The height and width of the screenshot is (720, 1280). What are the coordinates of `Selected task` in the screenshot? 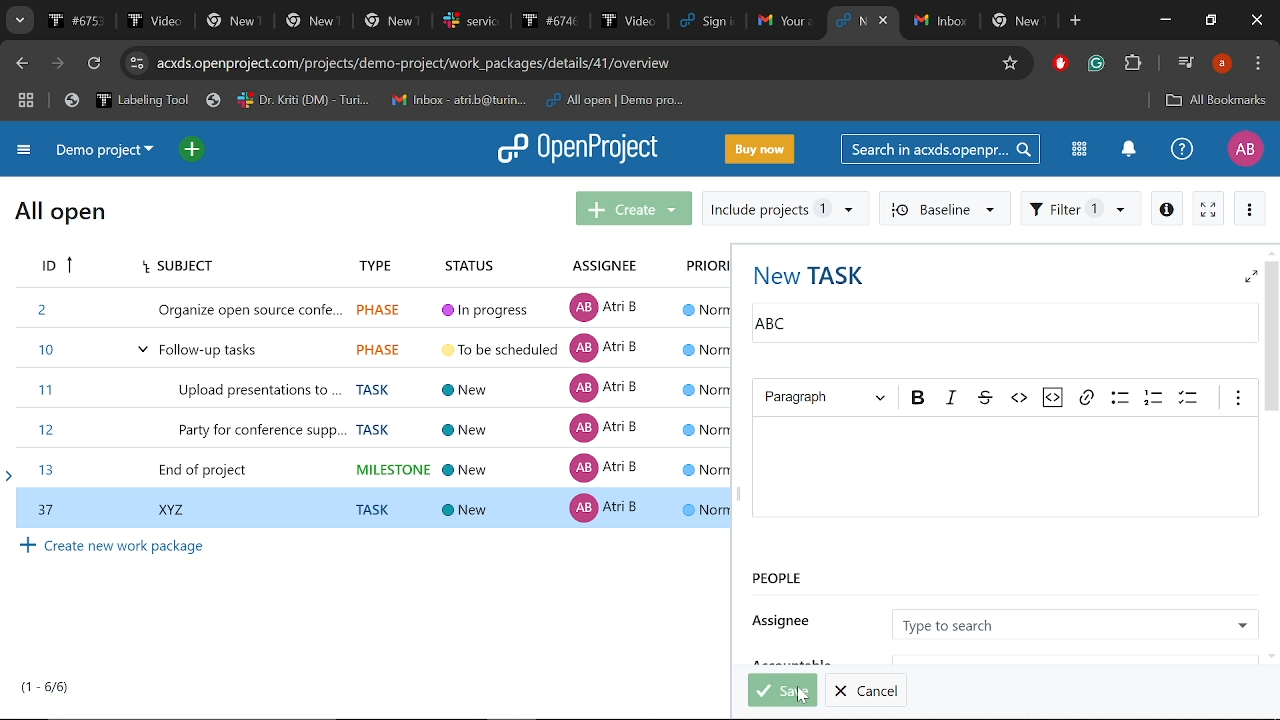 It's located at (372, 507).